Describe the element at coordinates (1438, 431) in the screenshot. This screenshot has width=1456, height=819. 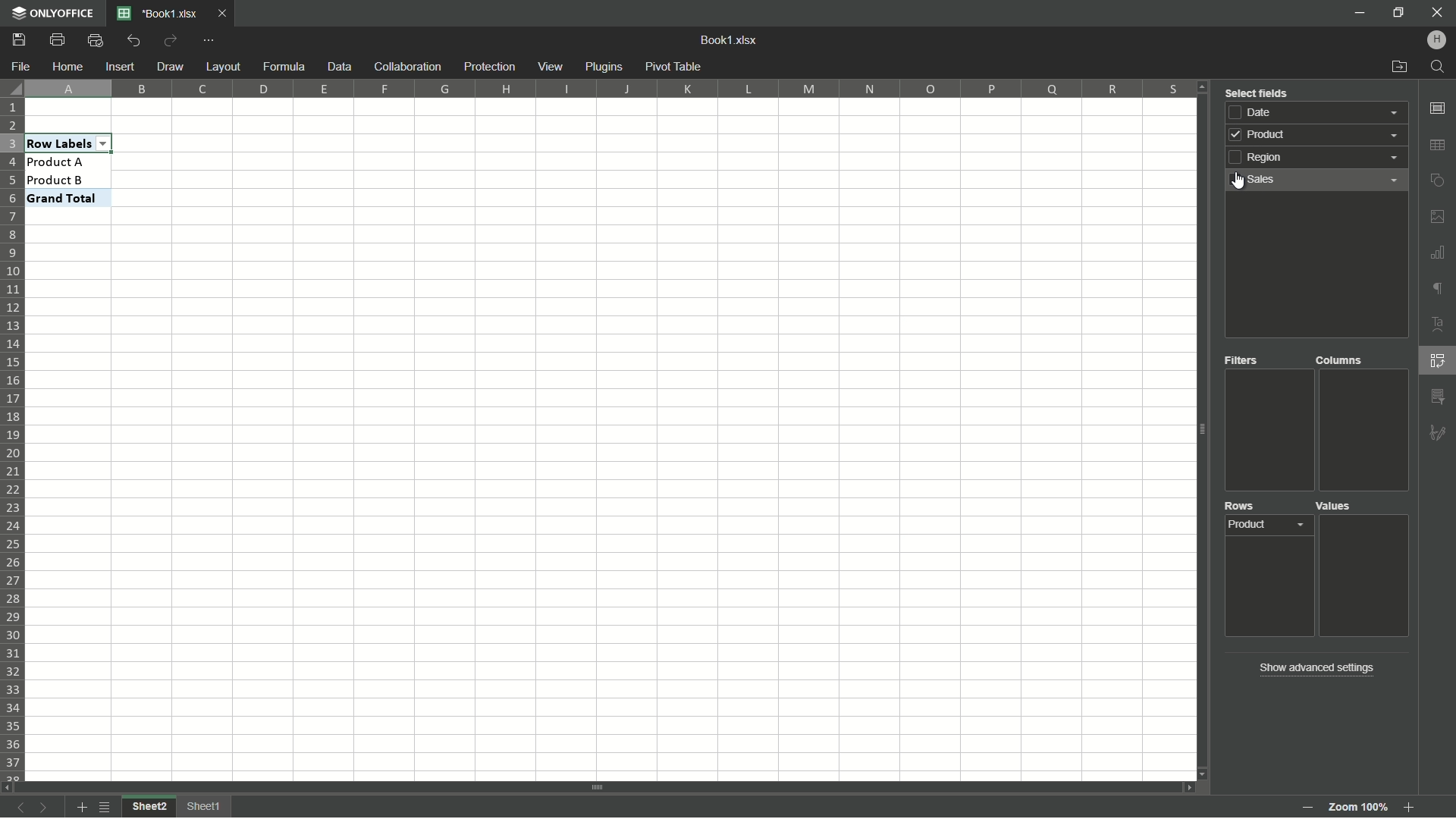
I see `formatting` at that location.